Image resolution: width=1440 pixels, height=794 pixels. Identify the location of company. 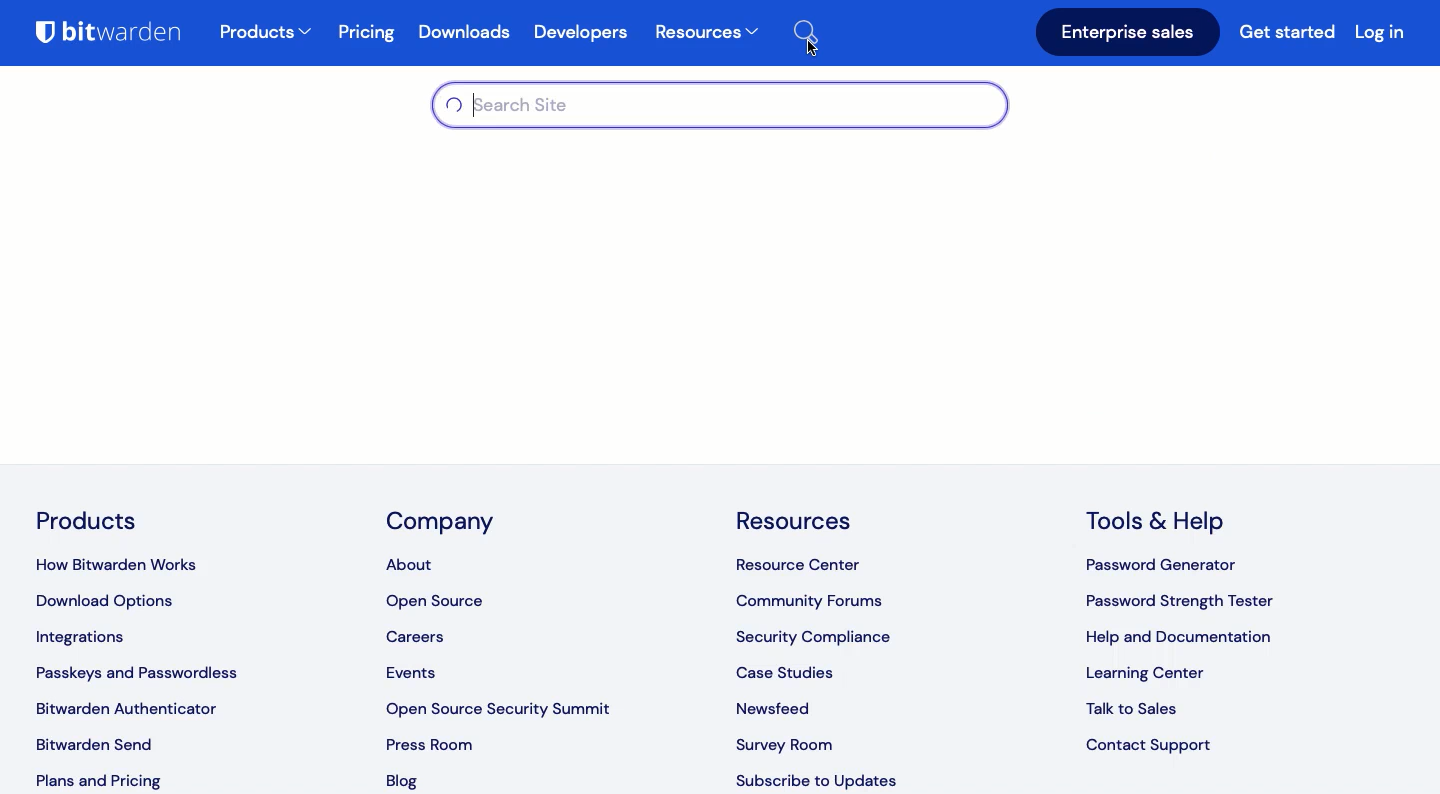
(442, 524).